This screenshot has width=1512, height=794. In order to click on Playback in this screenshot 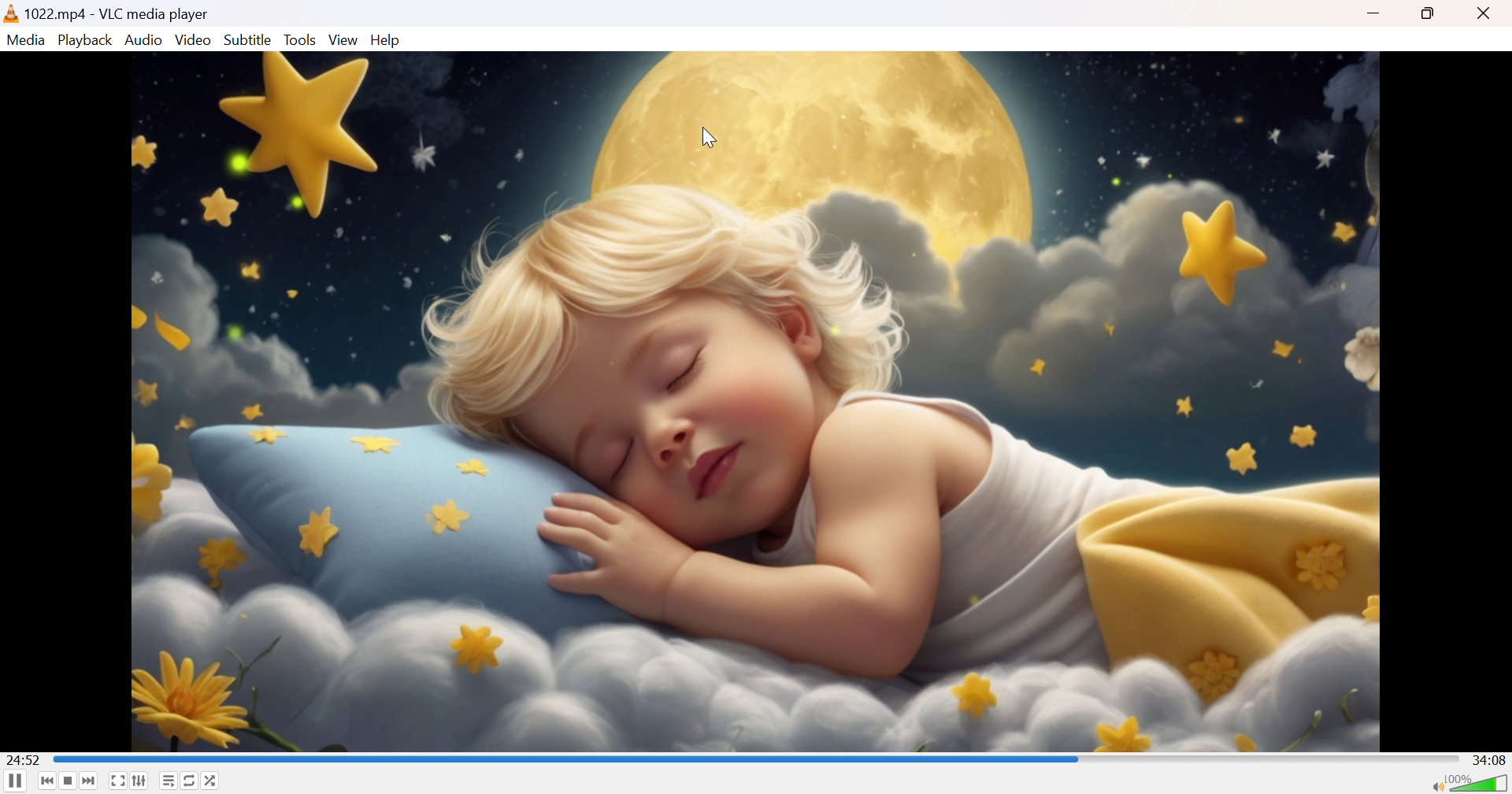, I will do `click(85, 39)`.